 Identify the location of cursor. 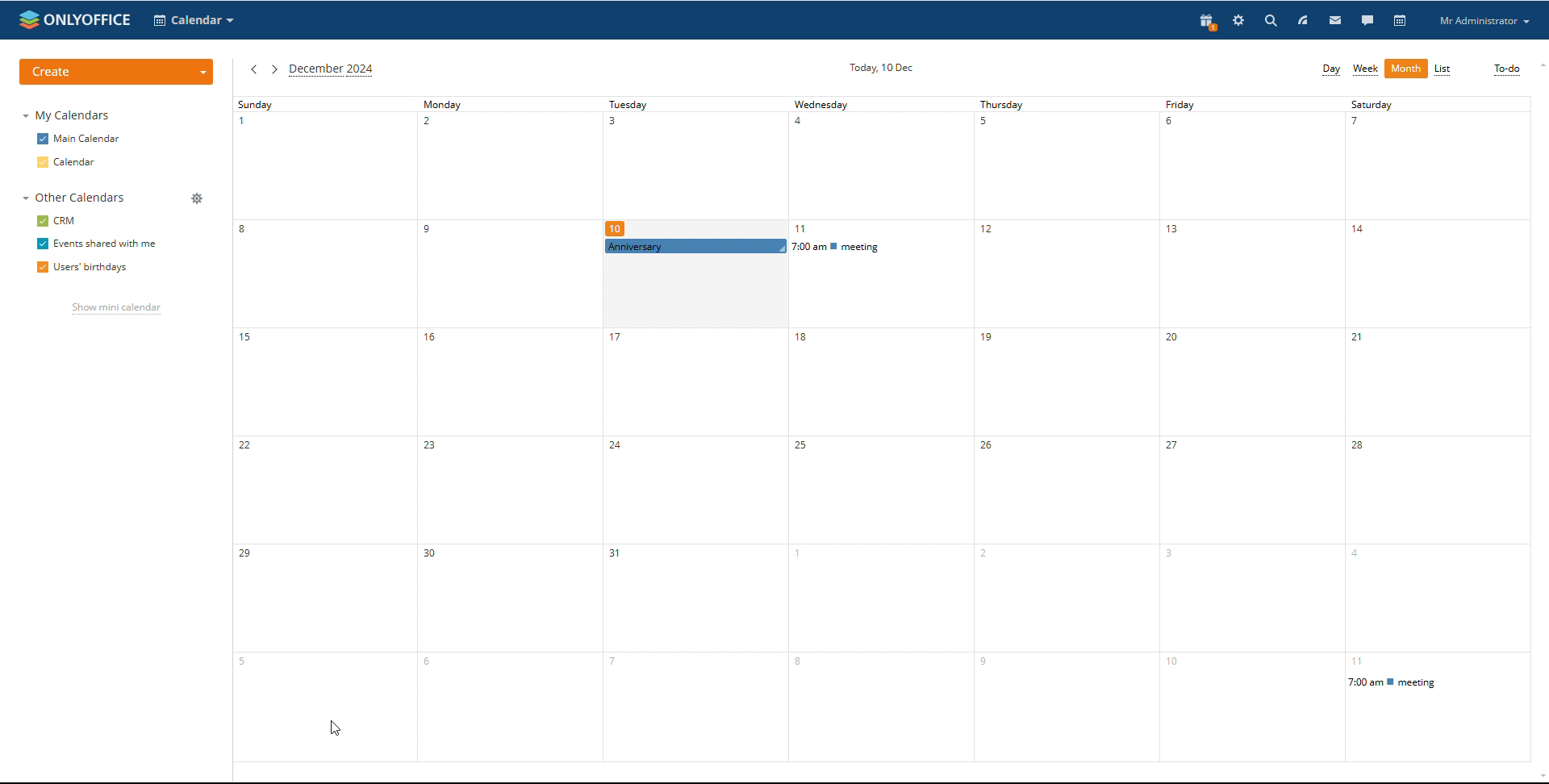
(808, 254).